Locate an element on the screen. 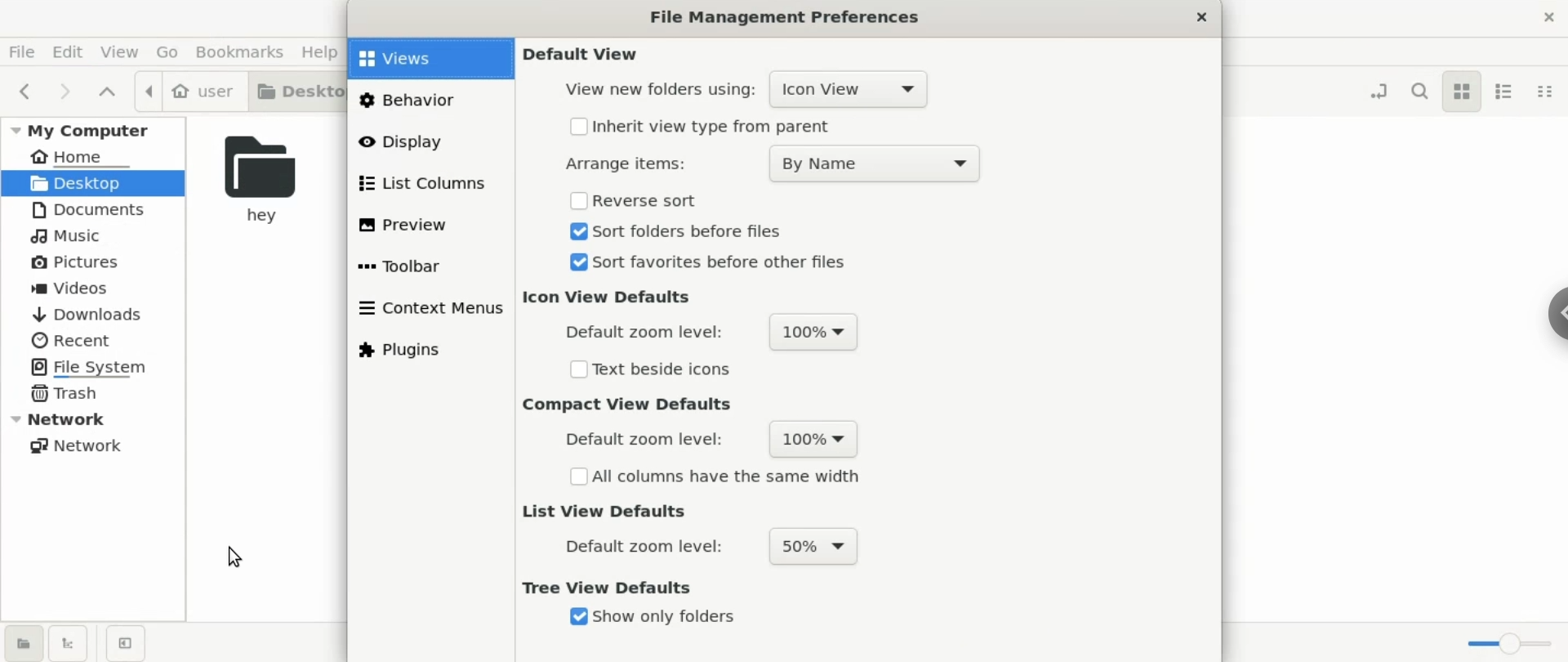 The height and width of the screenshot is (662, 1568). downloads is located at coordinates (88, 315).